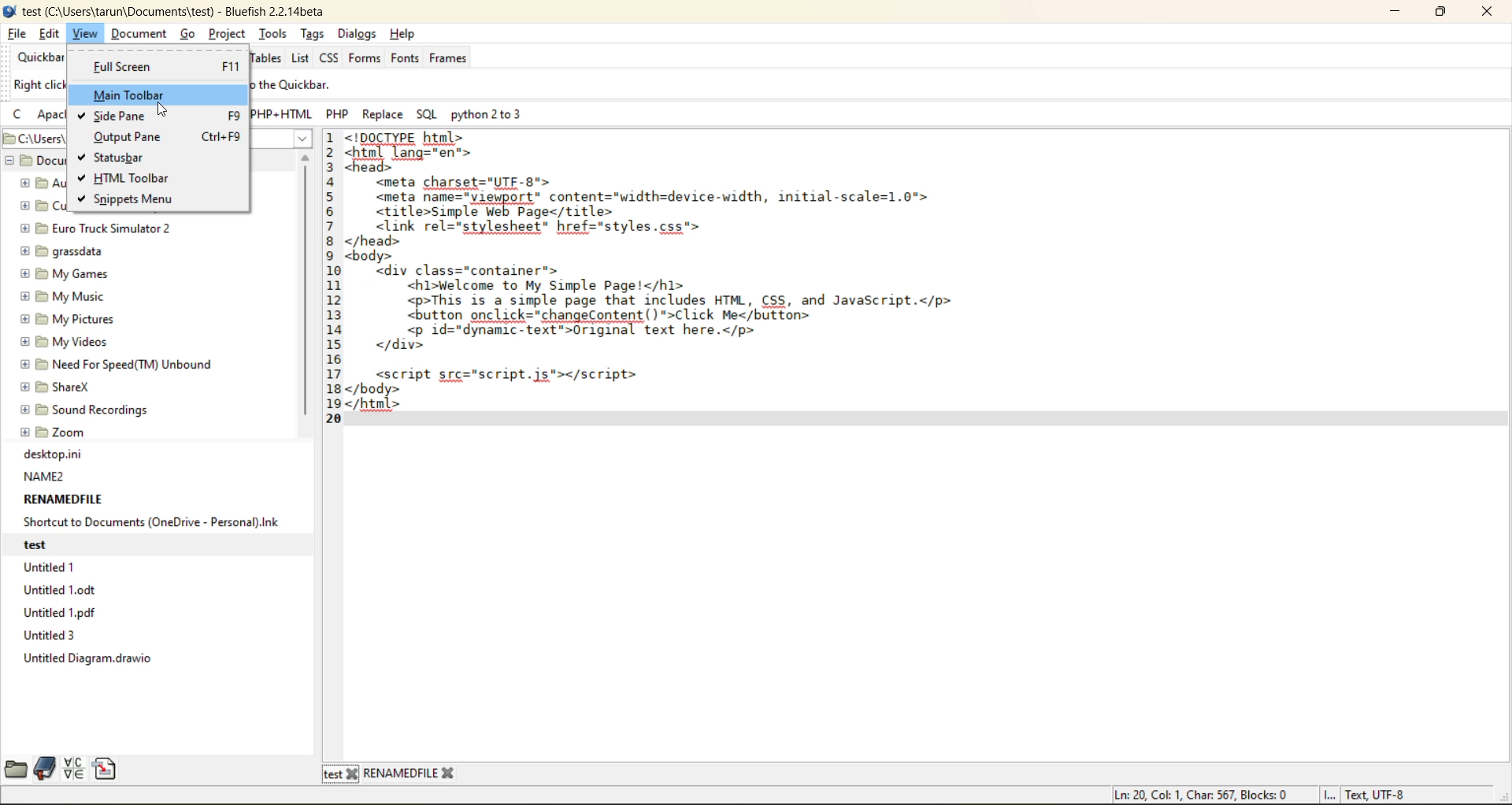 The width and height of the screenshot is (1512, 805). I want to click on Shortcut to Documents (OneDrive - Personal).Ink, so click(152, 522).